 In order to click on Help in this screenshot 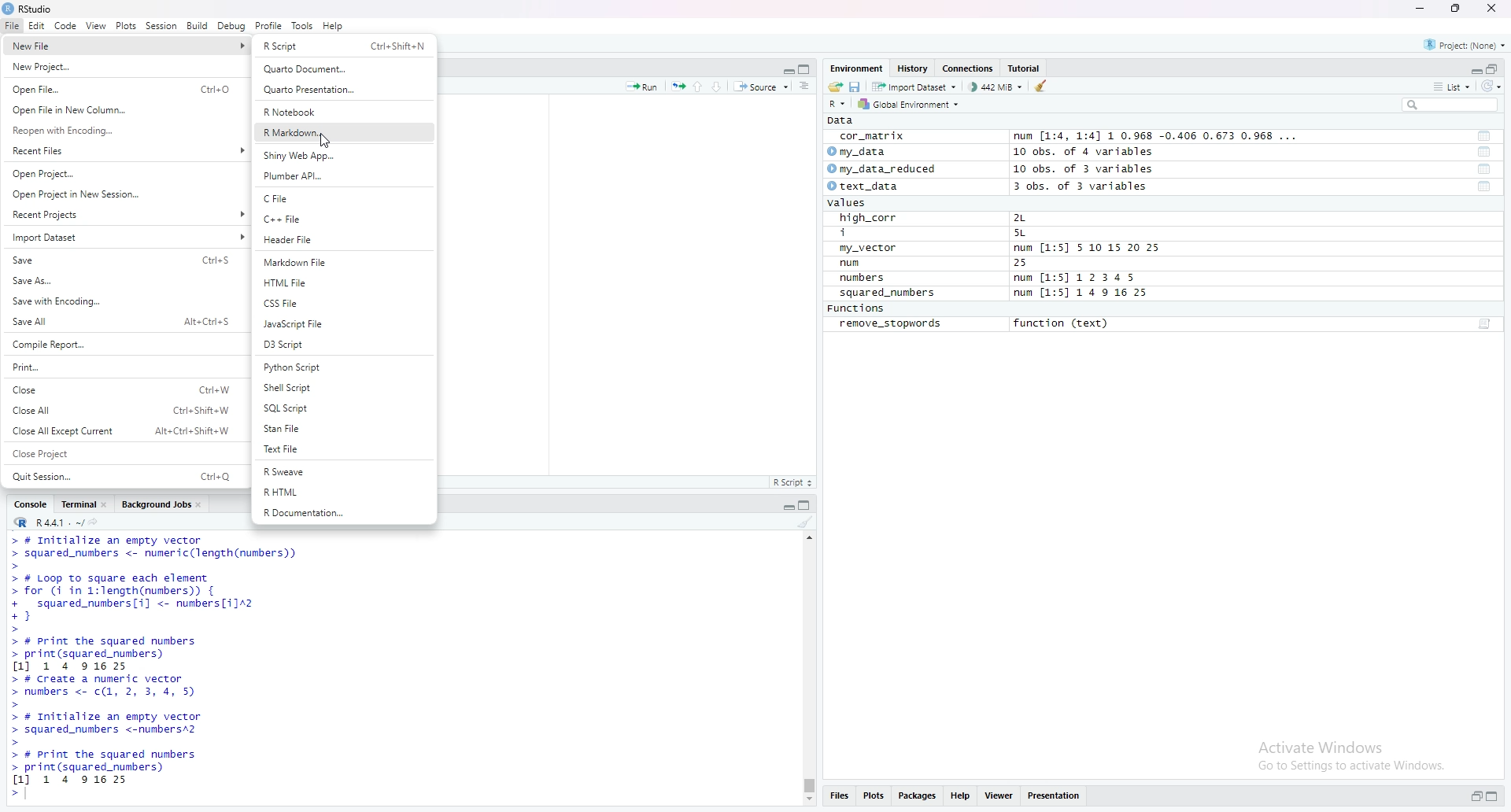, I will do `click(332, 25)`.